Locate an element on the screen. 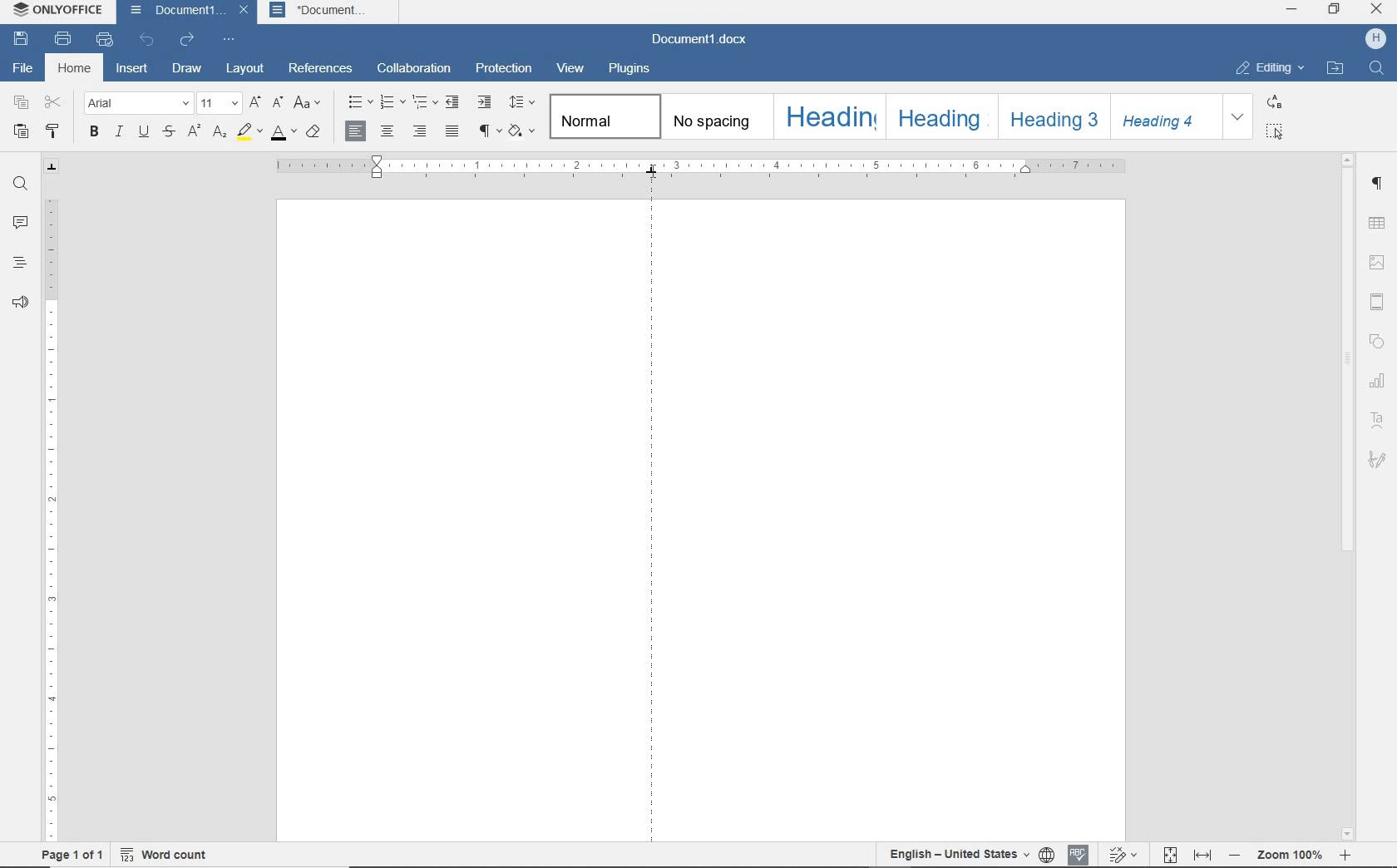 Image resolution: width=1397 pixels, height=868 pixels. FEEDBACK & SUPPORT is located at coordinates (20, 303).